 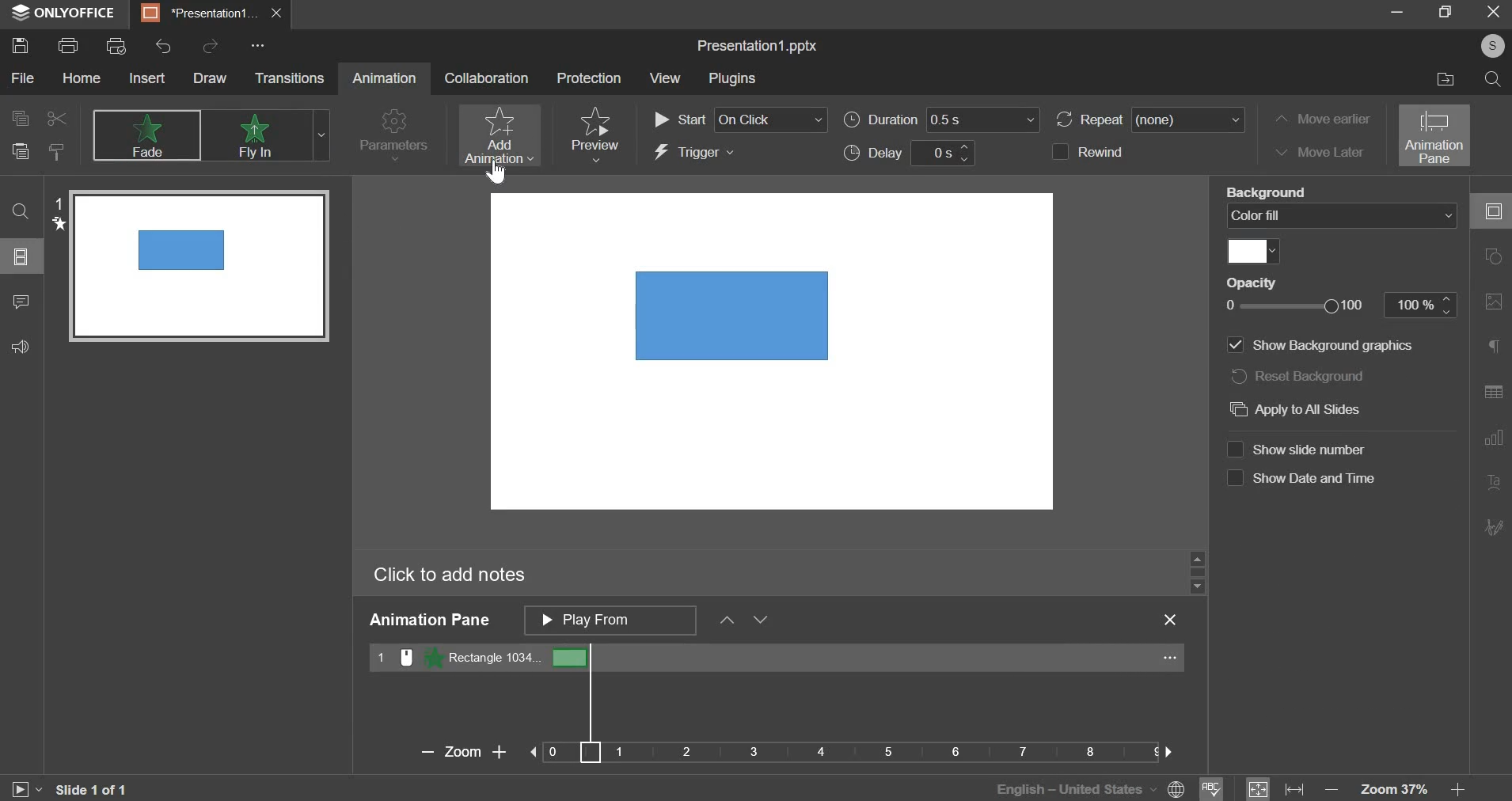 I want to click on add animation, so click(x=502, y=135).